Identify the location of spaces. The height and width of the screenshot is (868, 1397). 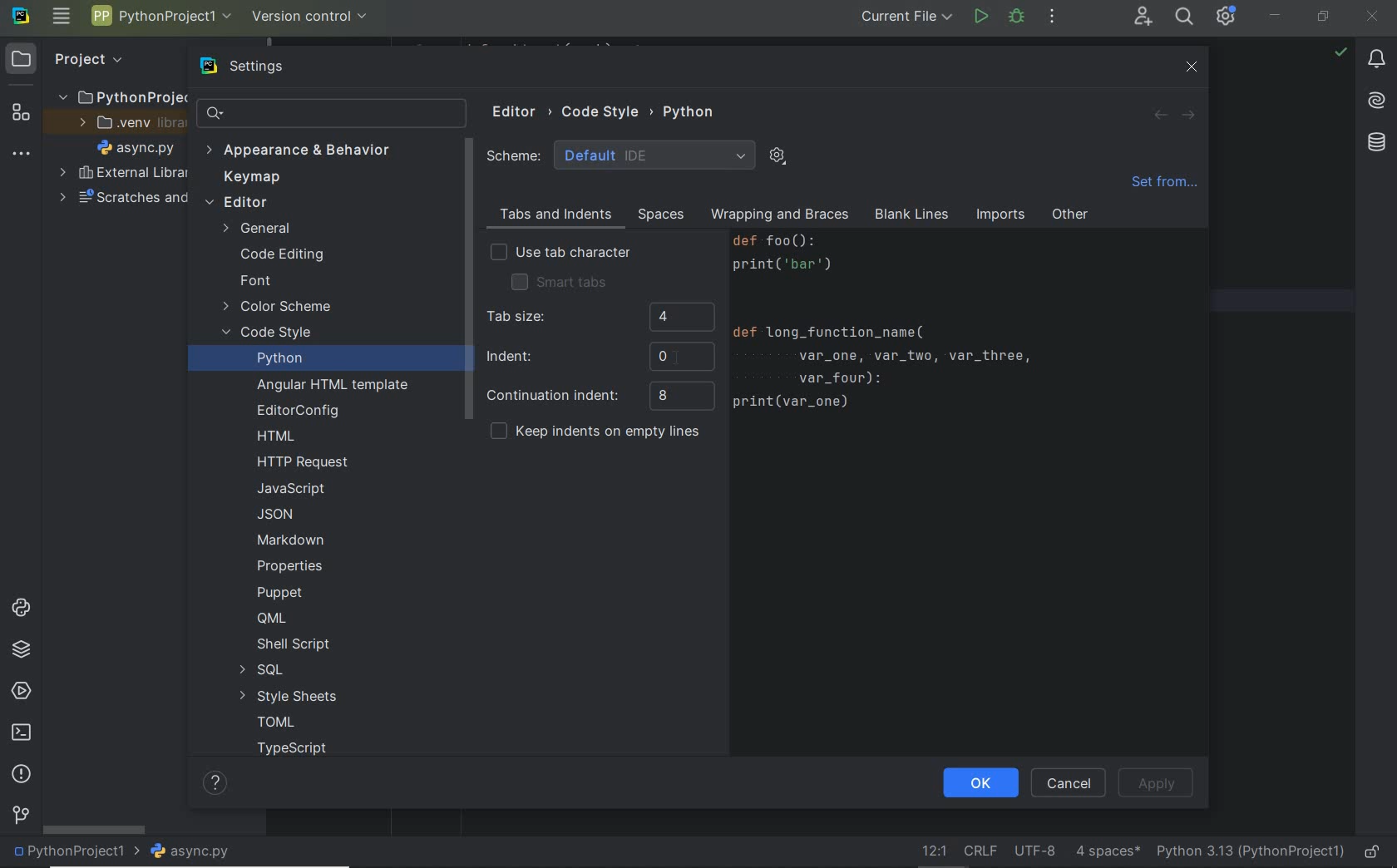
(658, 215).